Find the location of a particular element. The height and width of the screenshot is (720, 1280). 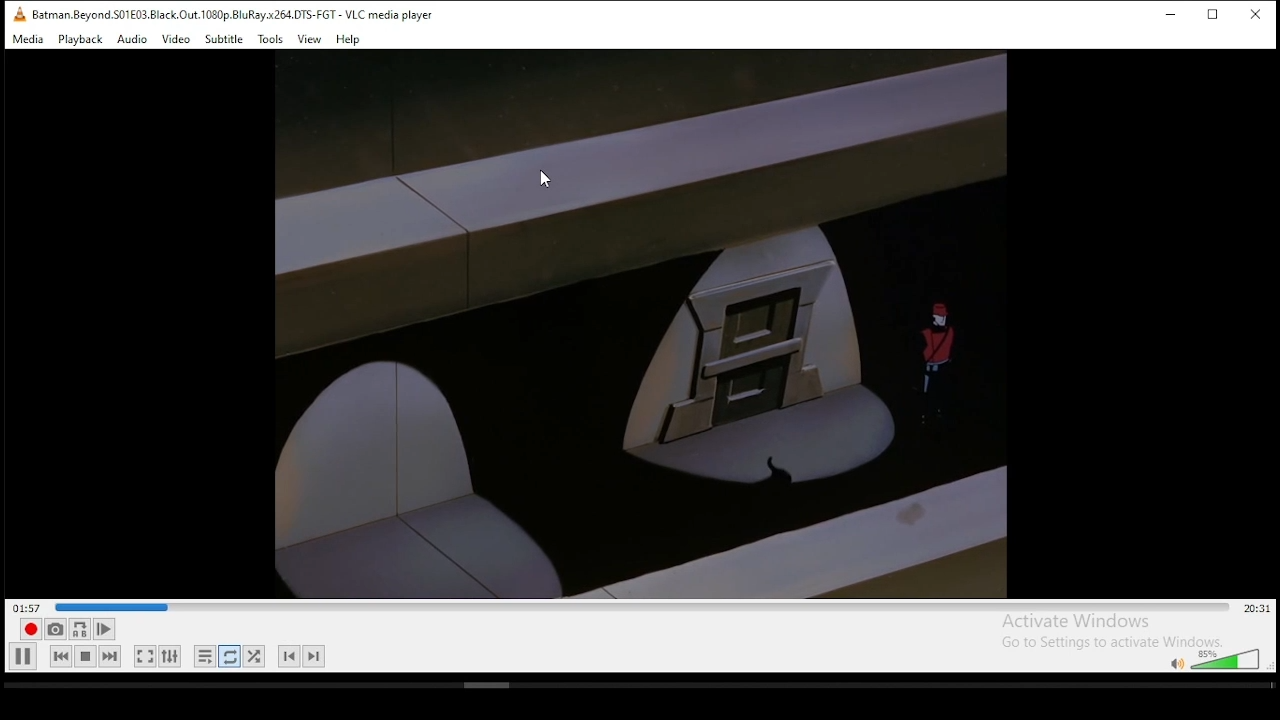

next chapter is located at coordinates (315, 656).